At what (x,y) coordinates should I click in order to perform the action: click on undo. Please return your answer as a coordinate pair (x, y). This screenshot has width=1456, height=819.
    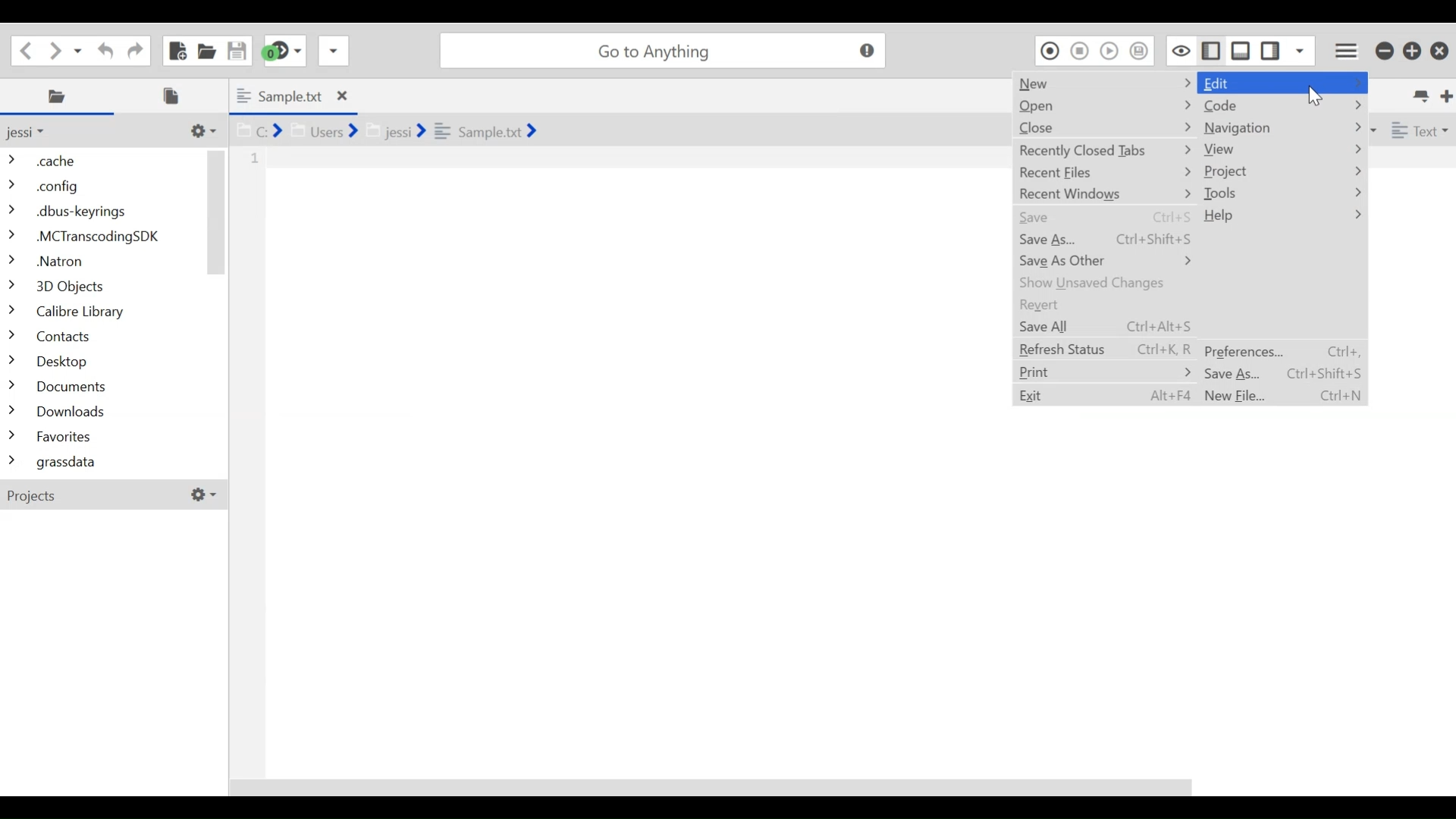
    Looking at the image, I should click on (102, 49).